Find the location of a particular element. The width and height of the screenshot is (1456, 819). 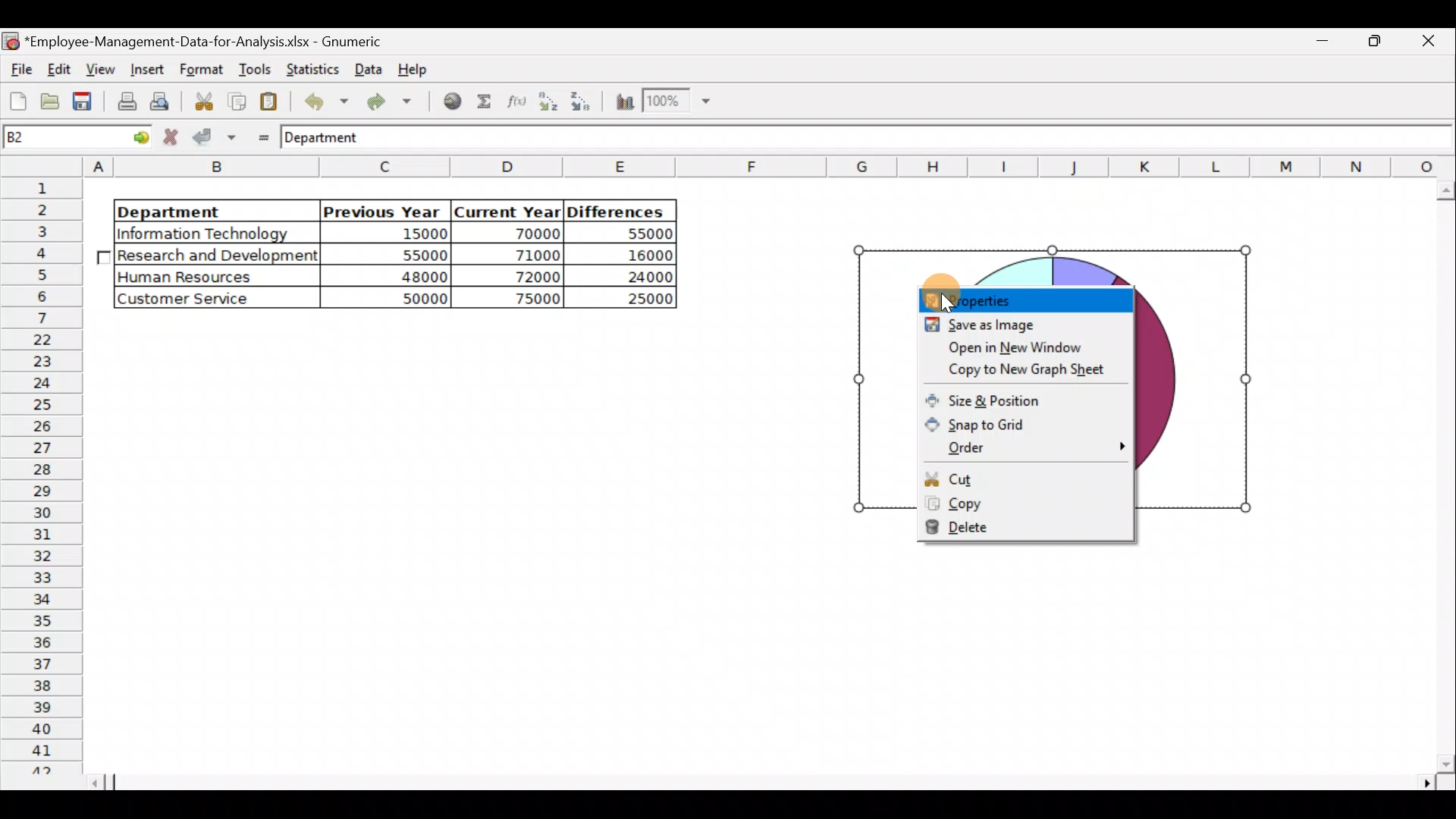

Properties is located at coordinates (1022, 297).